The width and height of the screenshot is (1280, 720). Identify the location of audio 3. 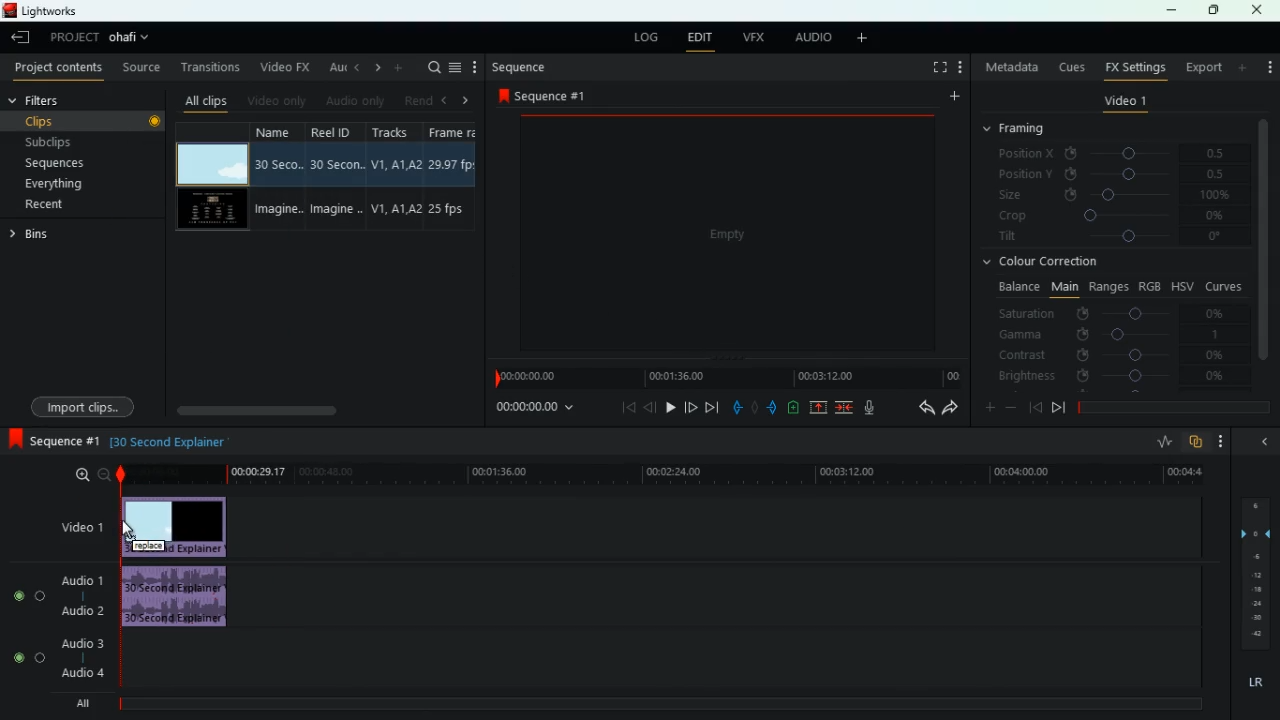
(79, 645).